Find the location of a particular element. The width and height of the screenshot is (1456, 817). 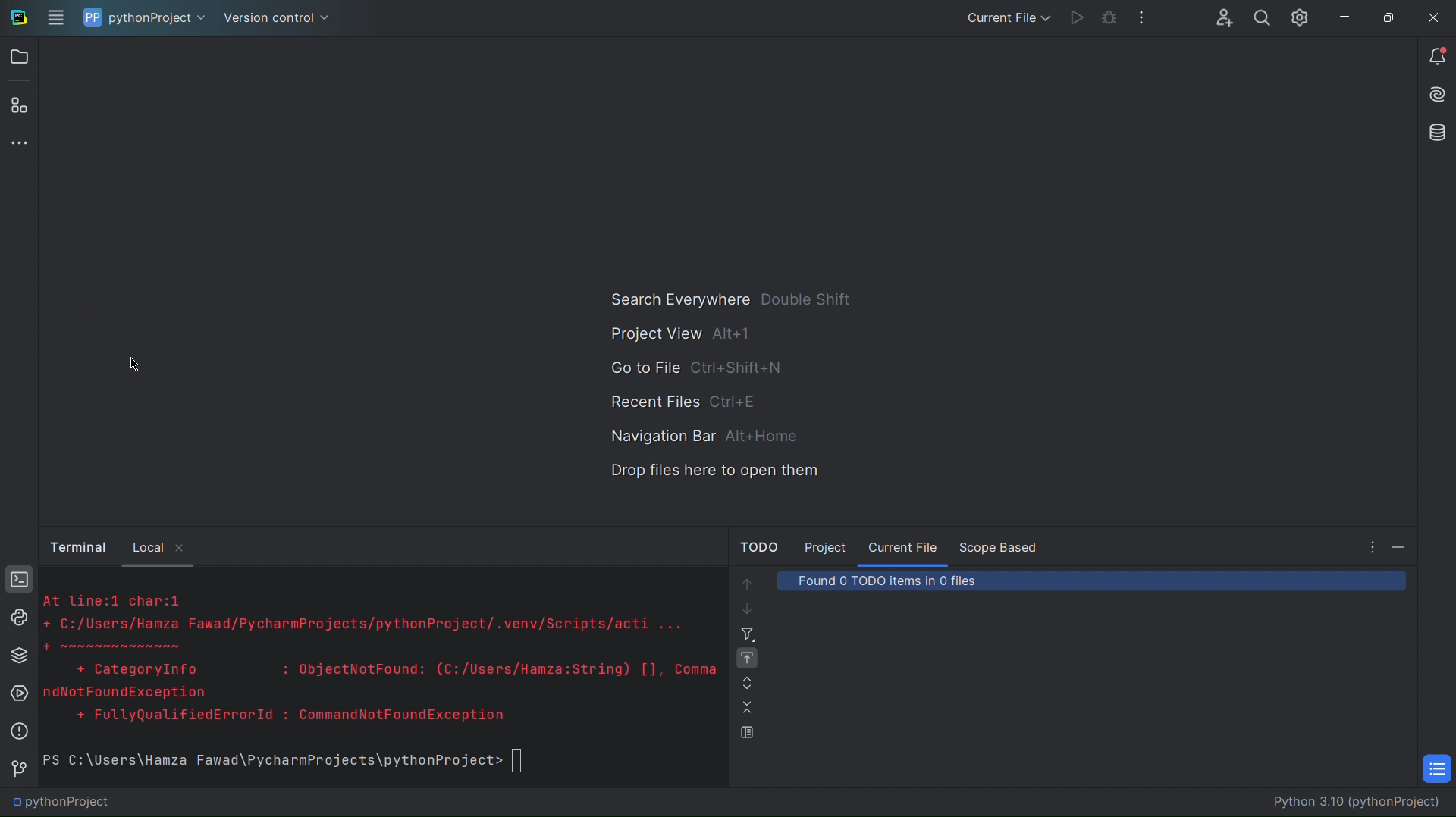

Collapse is located at coordinates (745, 707).